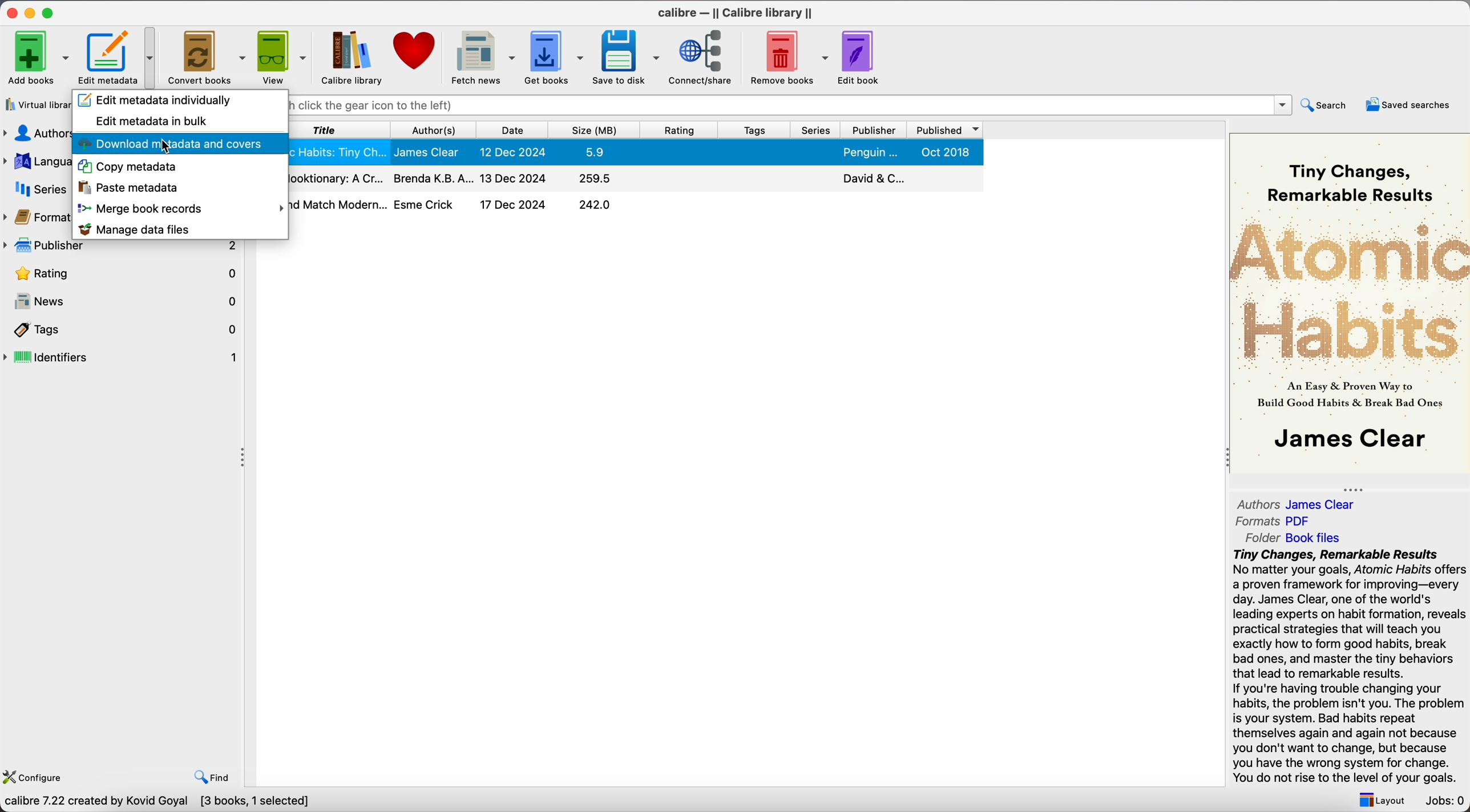 The width and height of the screenshot is (1470, 812). What do you see at coordinates (1350, 665) in the screenshot?
I see `synopsis` at bounding box center [1350, 665].